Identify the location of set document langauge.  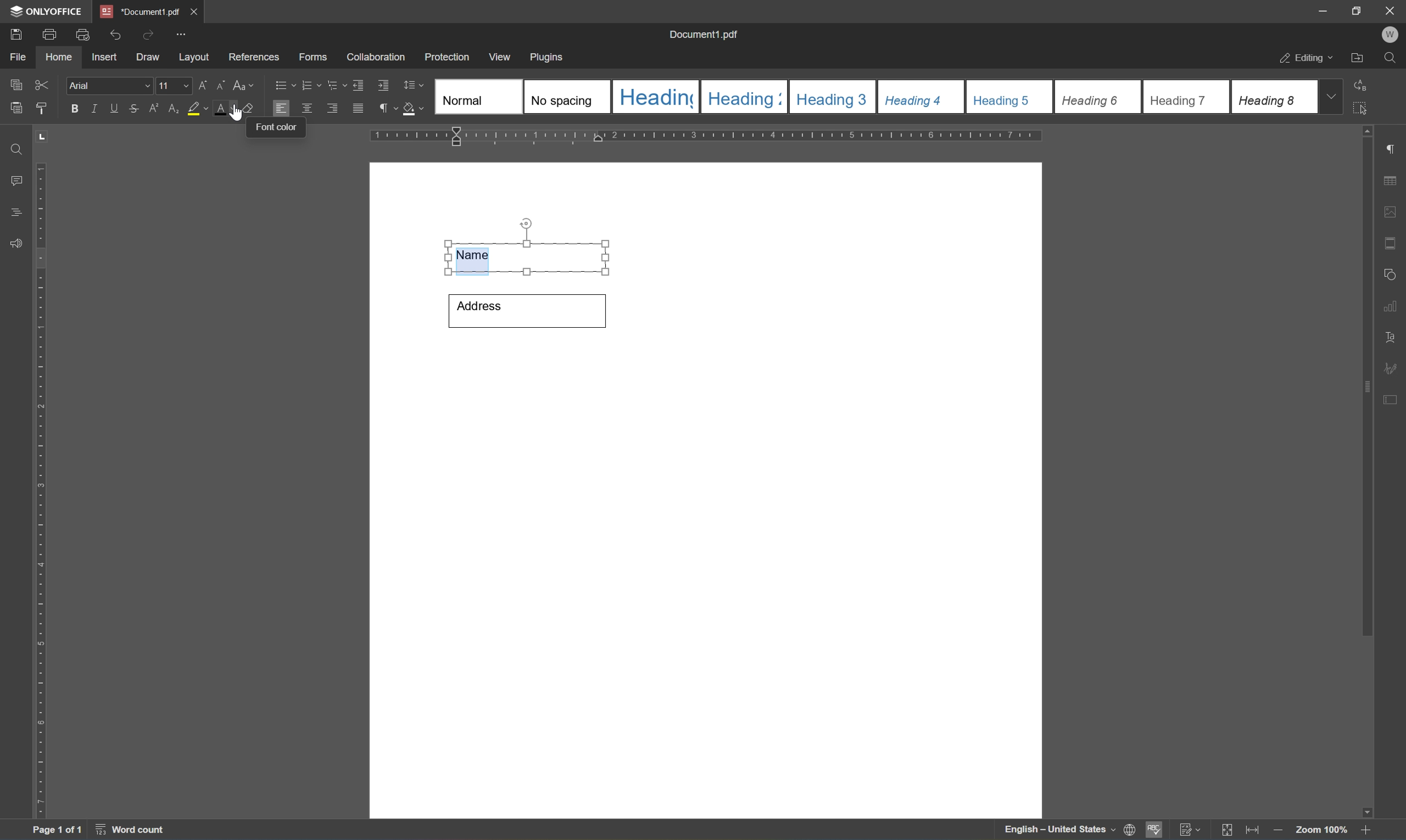
(1130, 830).